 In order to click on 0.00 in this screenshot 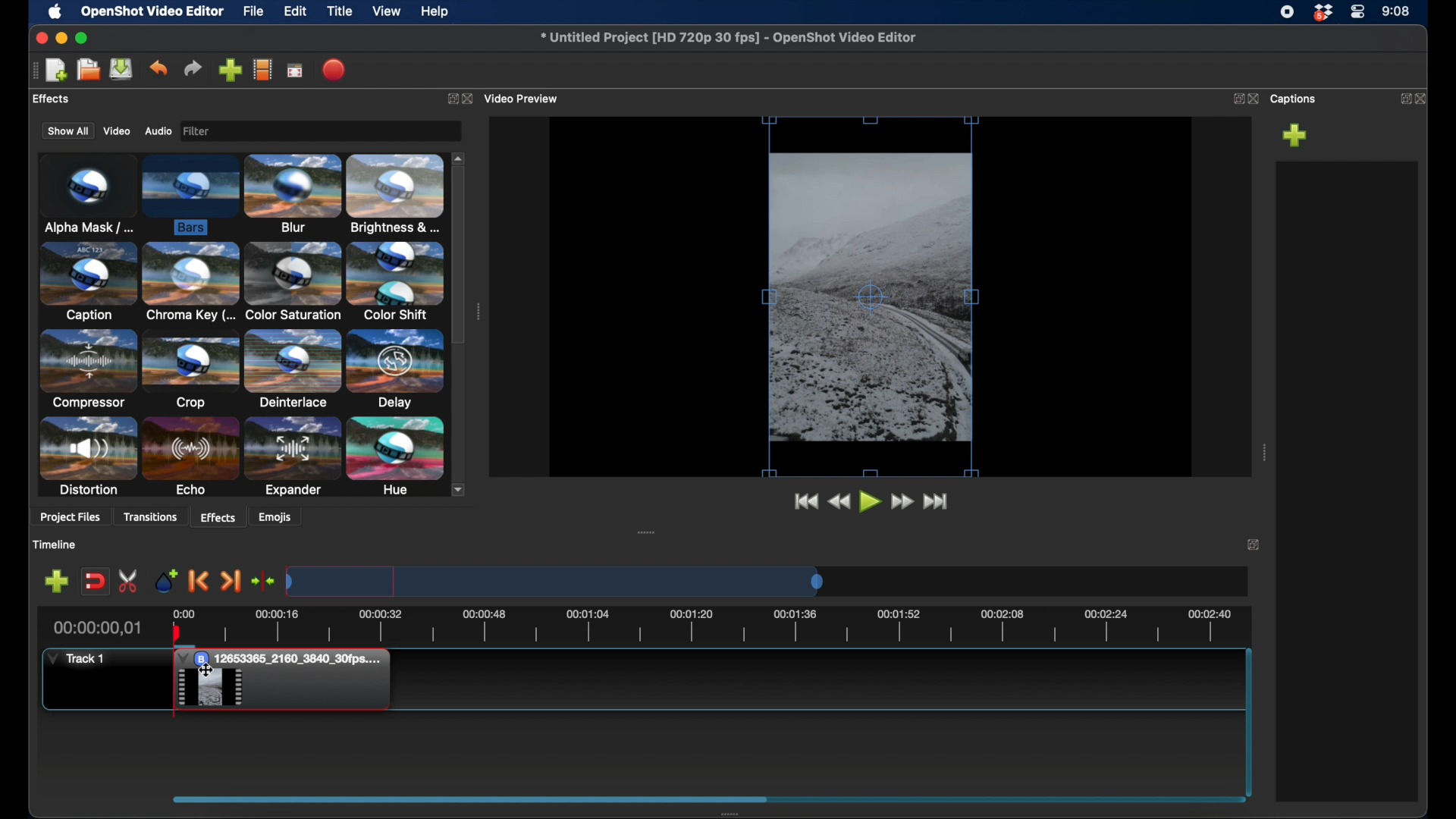, I will do `click(182, 612)`.